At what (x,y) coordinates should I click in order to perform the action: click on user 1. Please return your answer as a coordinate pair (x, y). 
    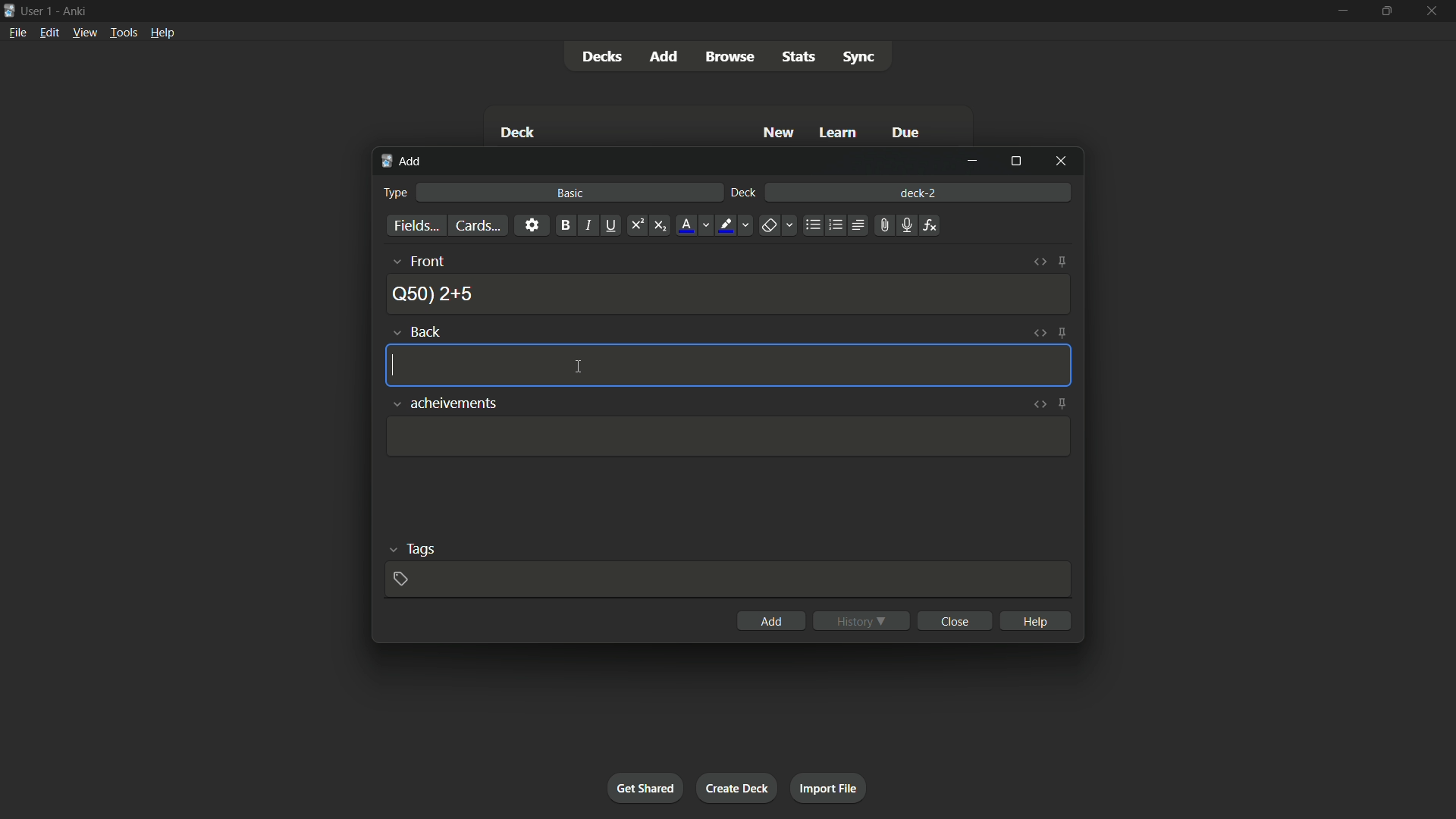
    Looking at the image, I should click on (38, 11).